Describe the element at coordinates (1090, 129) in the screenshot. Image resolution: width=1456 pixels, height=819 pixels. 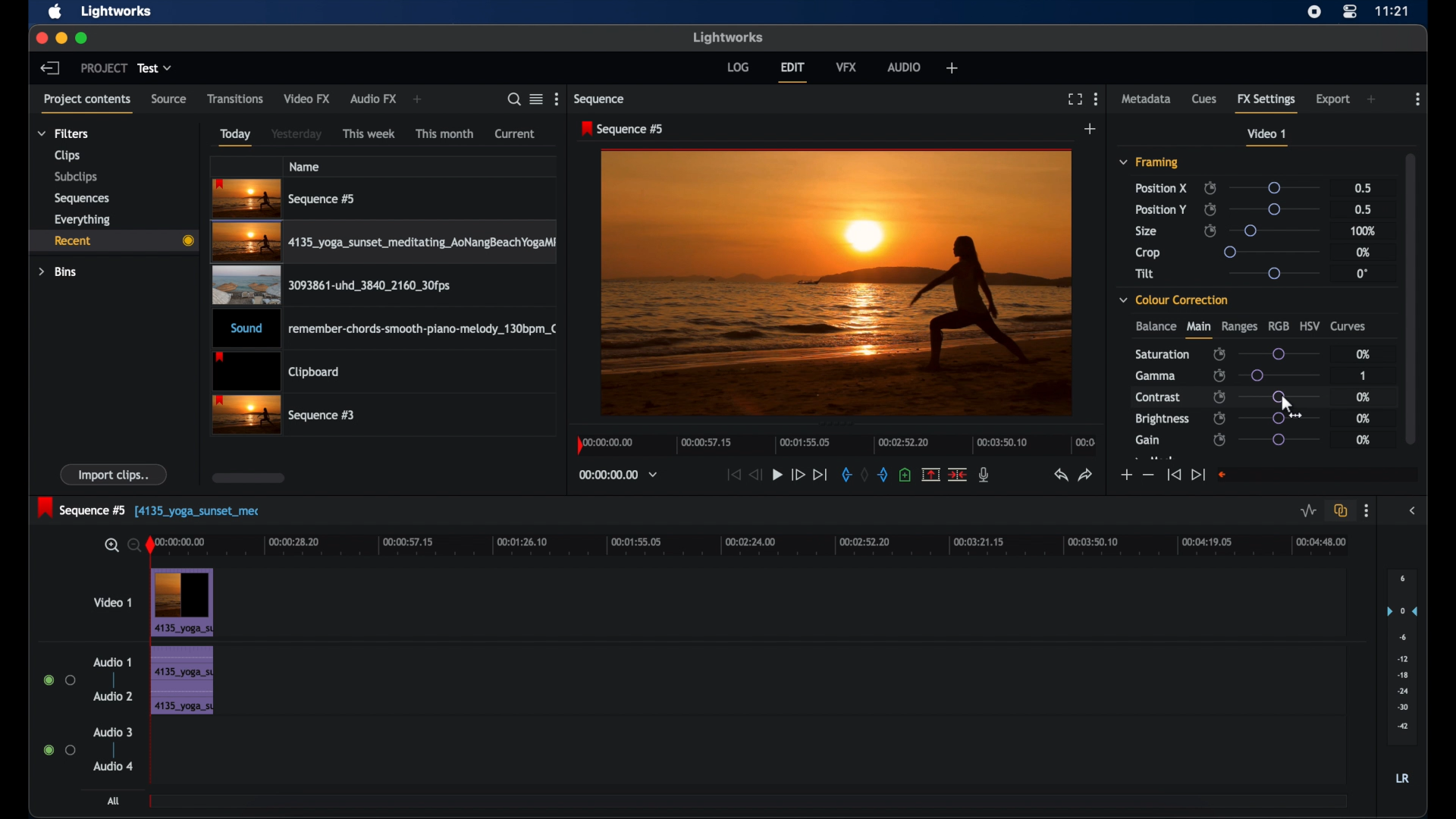
I see `add` at that location.